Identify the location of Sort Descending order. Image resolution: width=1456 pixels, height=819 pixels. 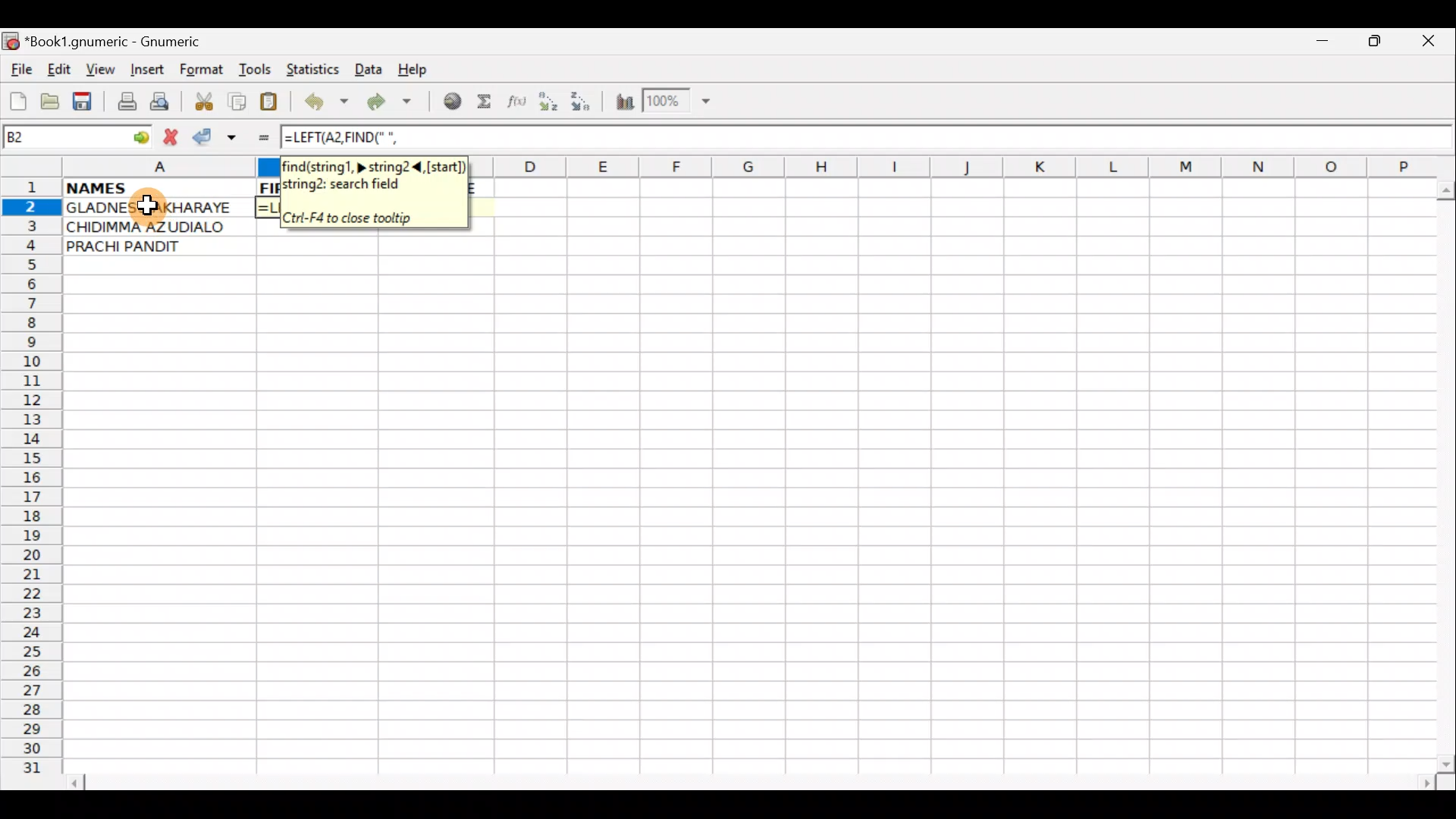
(585, 105).